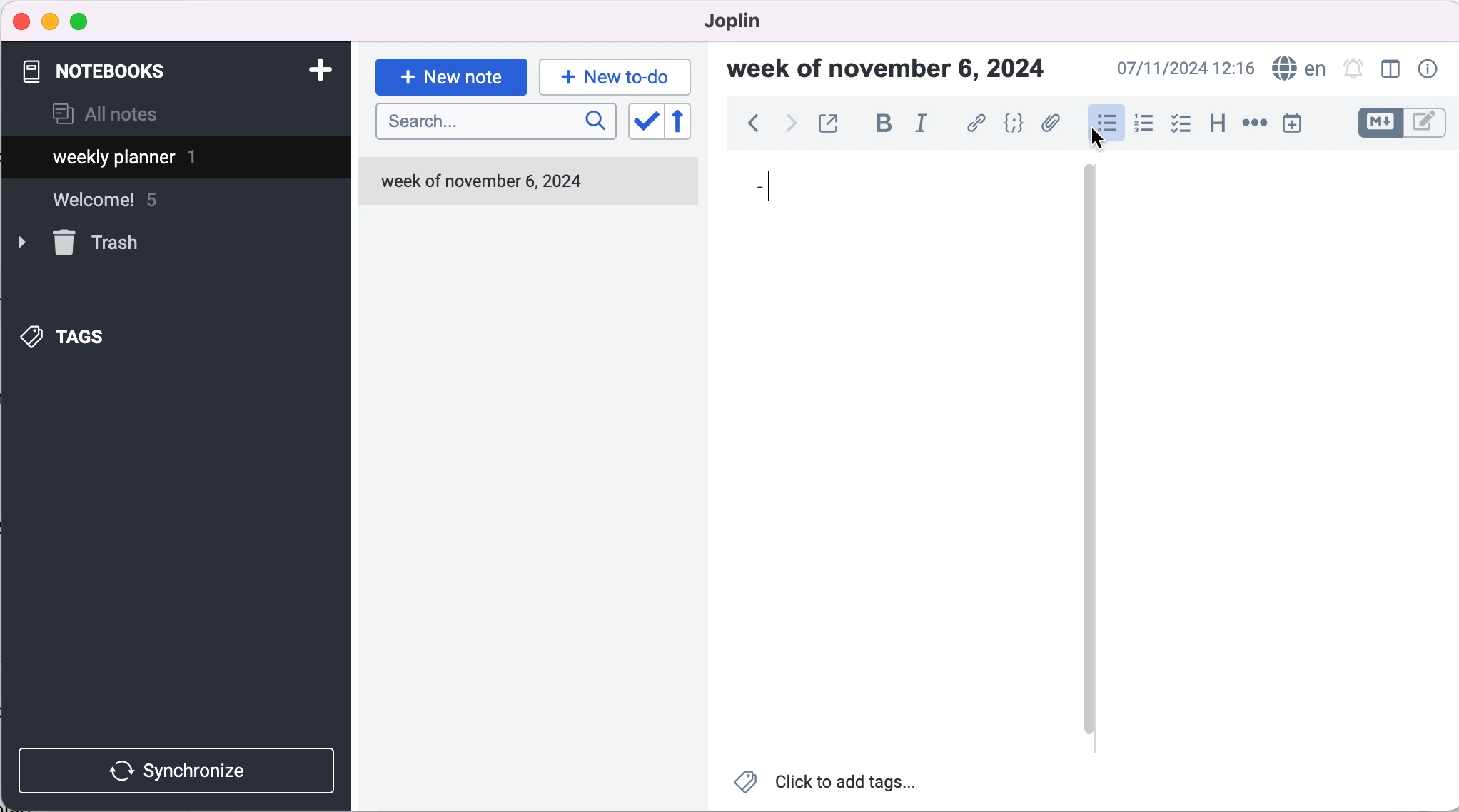 Image resolution: width=1459 pixels, height=812 pixels. What do you see at coordinates (1143, 126) in the screenshot?
I see `numbered list` at bounding box center [1143, 126].